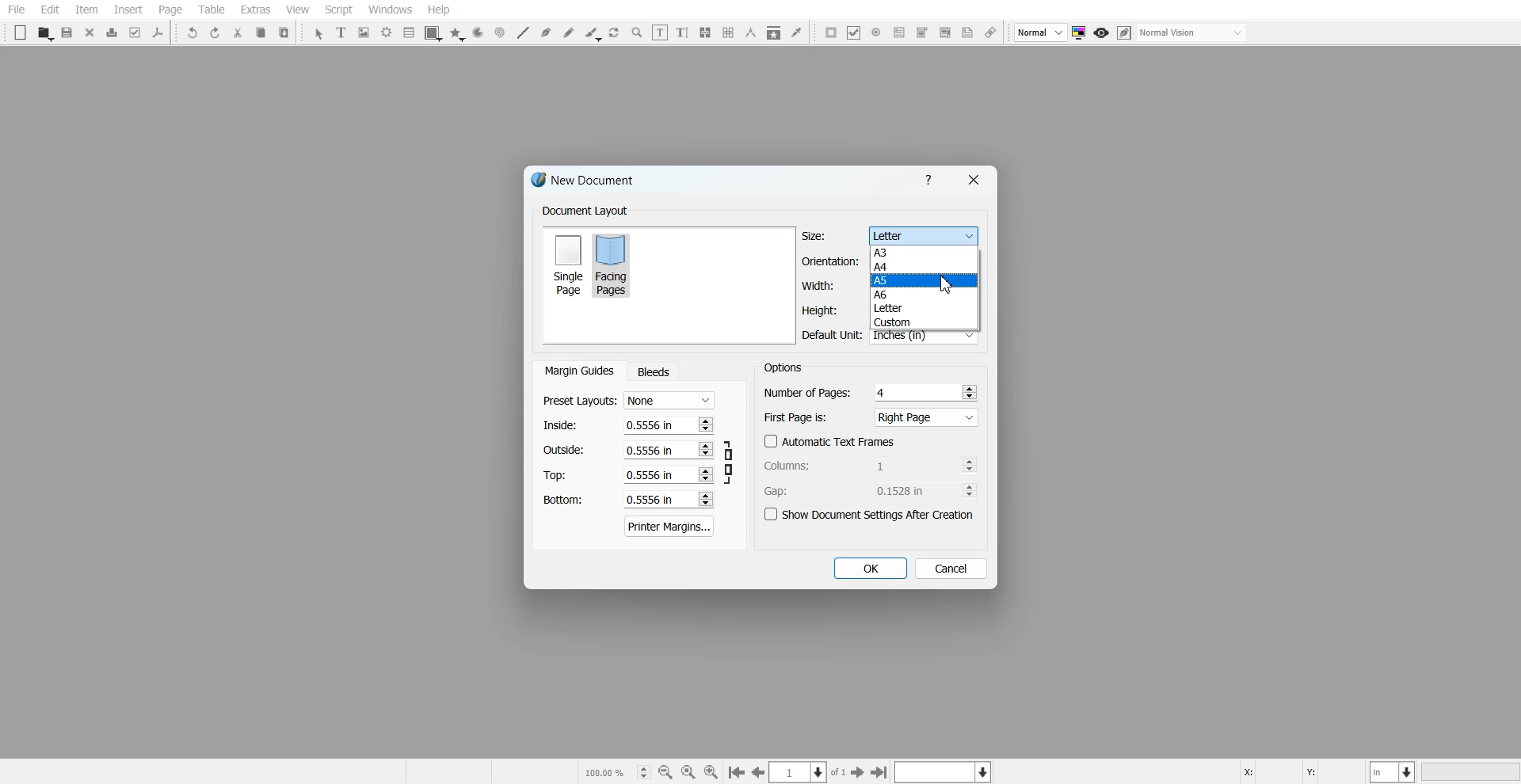  Describe the element at coordinates (585, 211) in the screenshot. I see `Text` at that location.